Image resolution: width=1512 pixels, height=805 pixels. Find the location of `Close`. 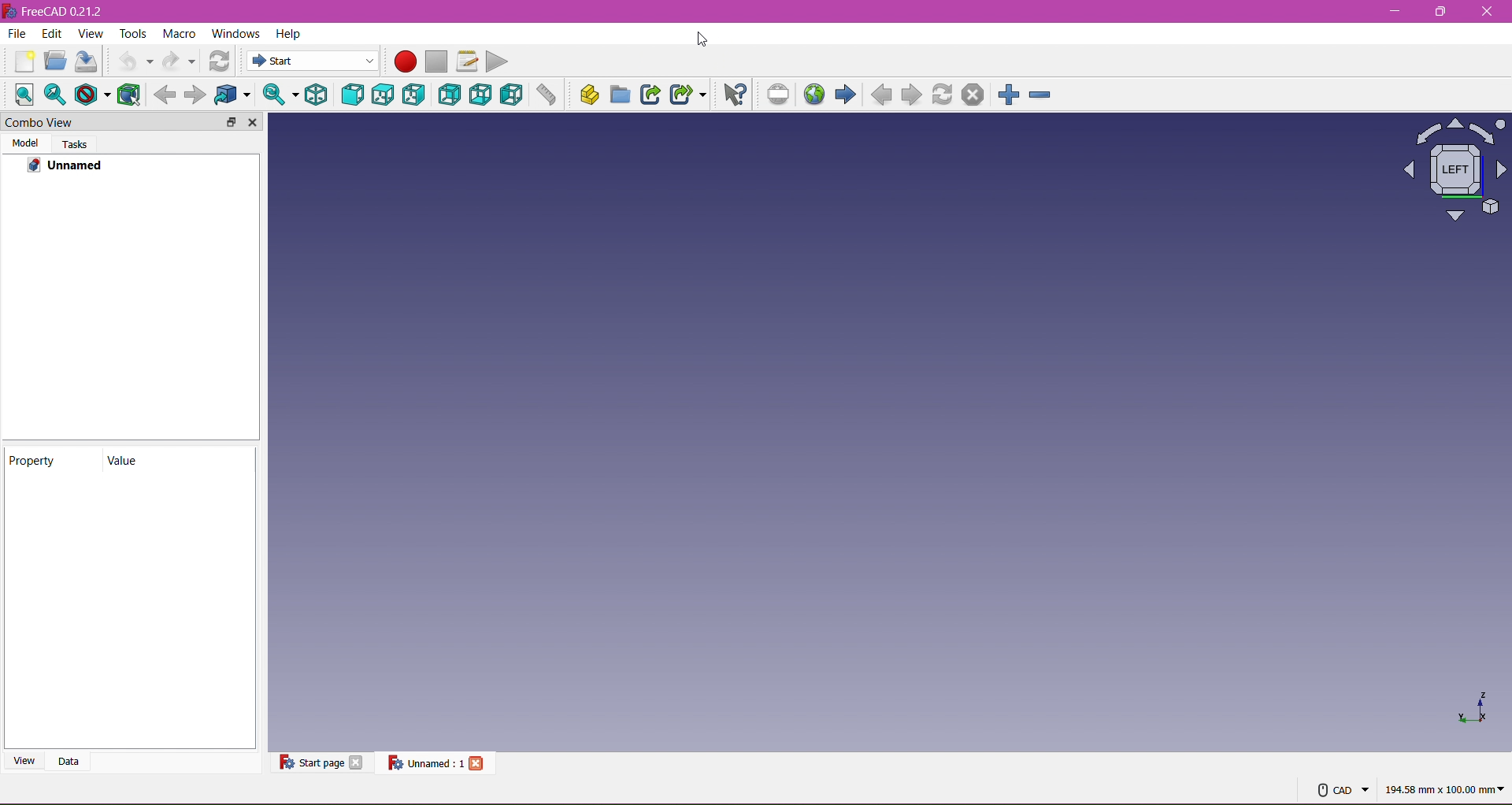

Close is located at coordinates (1487, 10).